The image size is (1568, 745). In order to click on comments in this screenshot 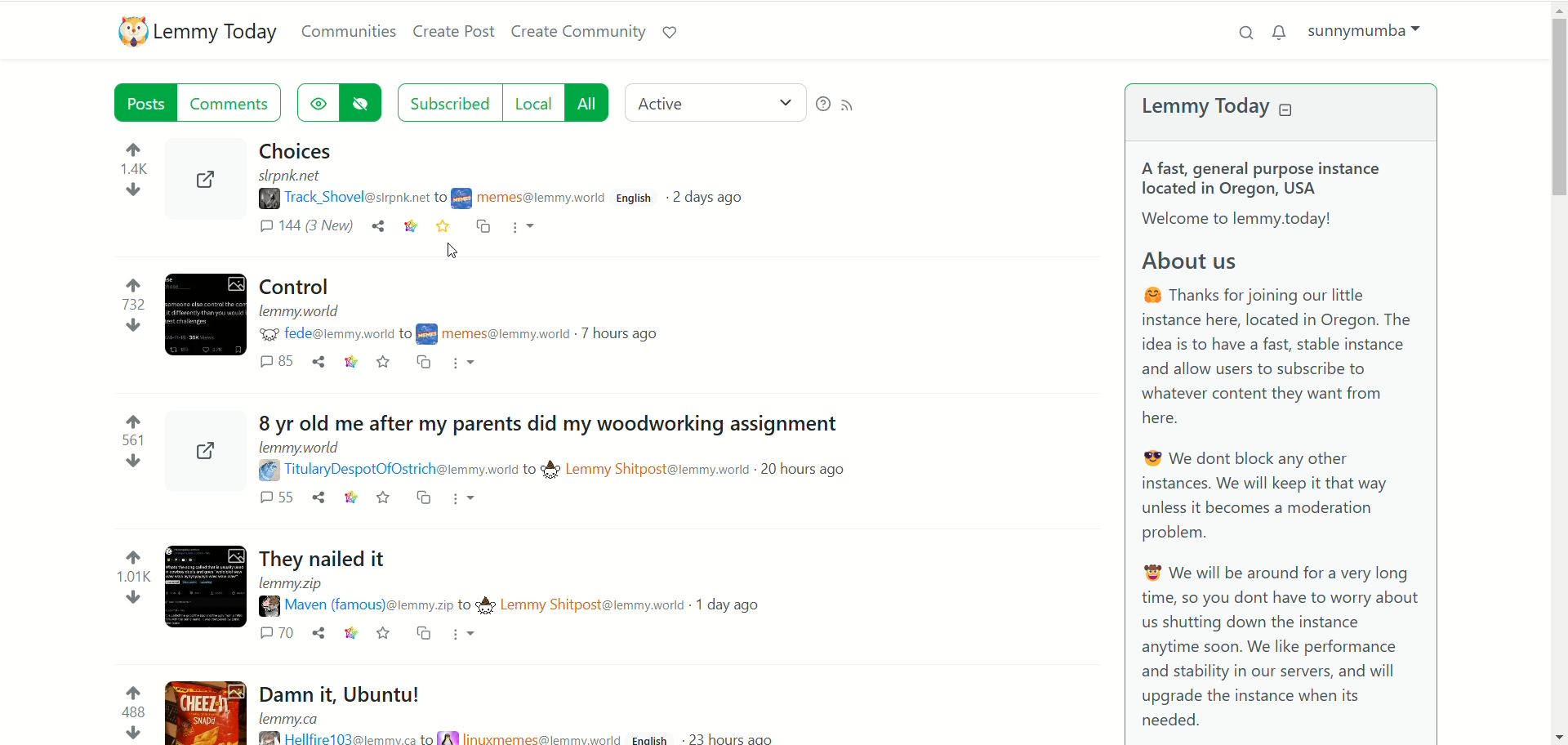, I will do `click(264, 498)`.